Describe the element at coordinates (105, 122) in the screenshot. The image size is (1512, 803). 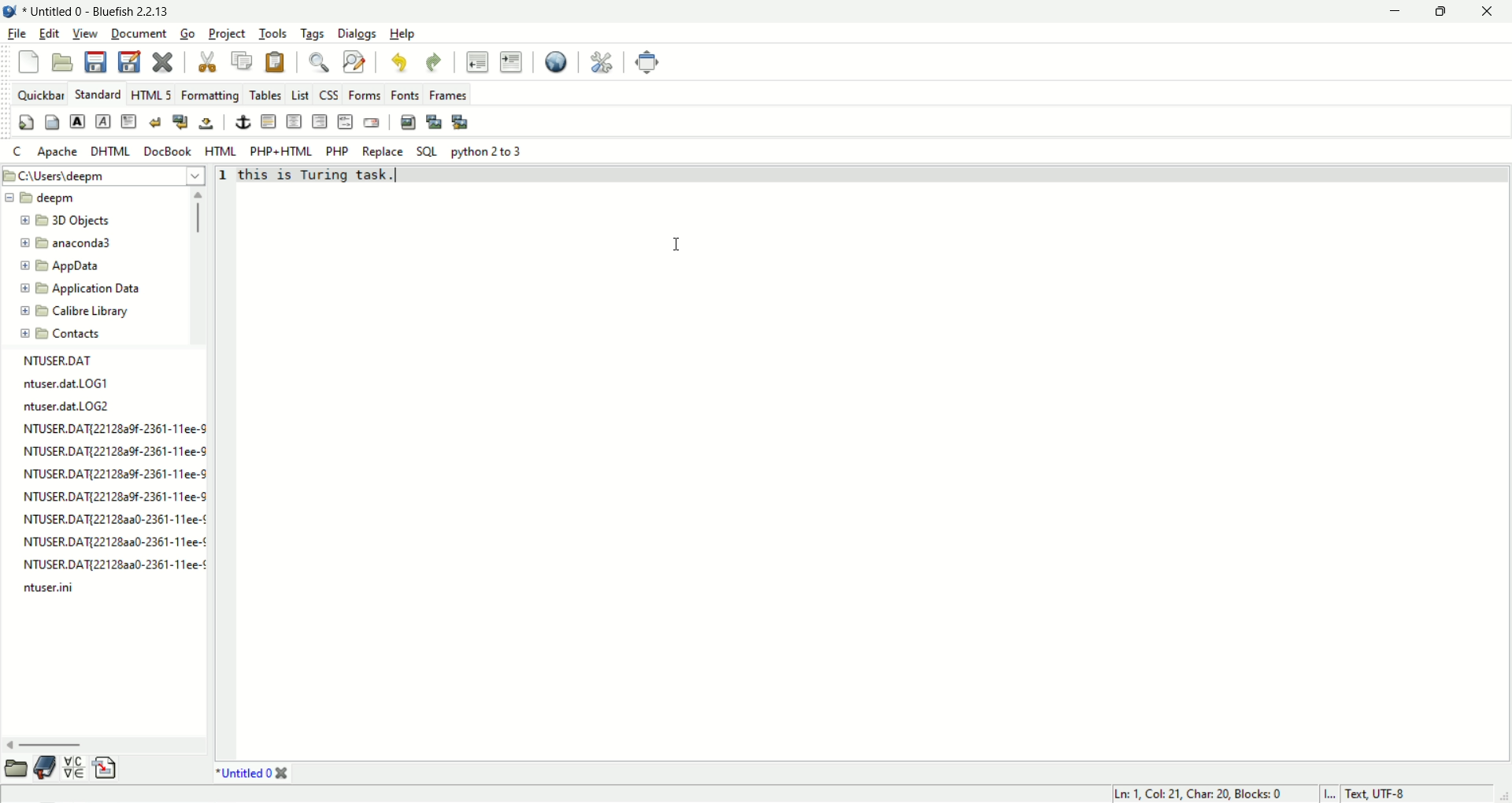
I see `emphasis` at that location.